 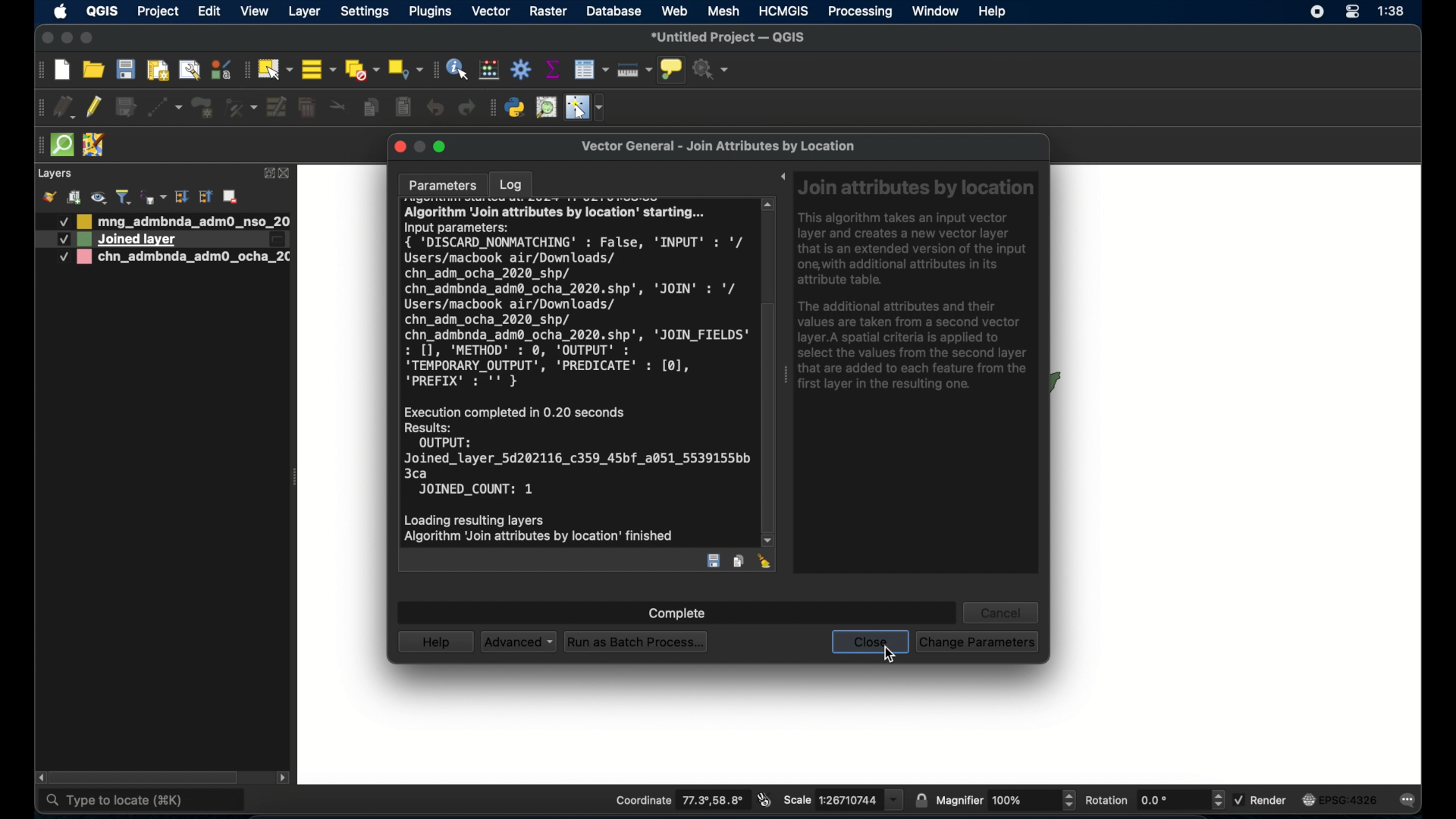 What do you see at coordinates (62, 240) in the screenshot?
I see `` at bounding box center [62, 240].